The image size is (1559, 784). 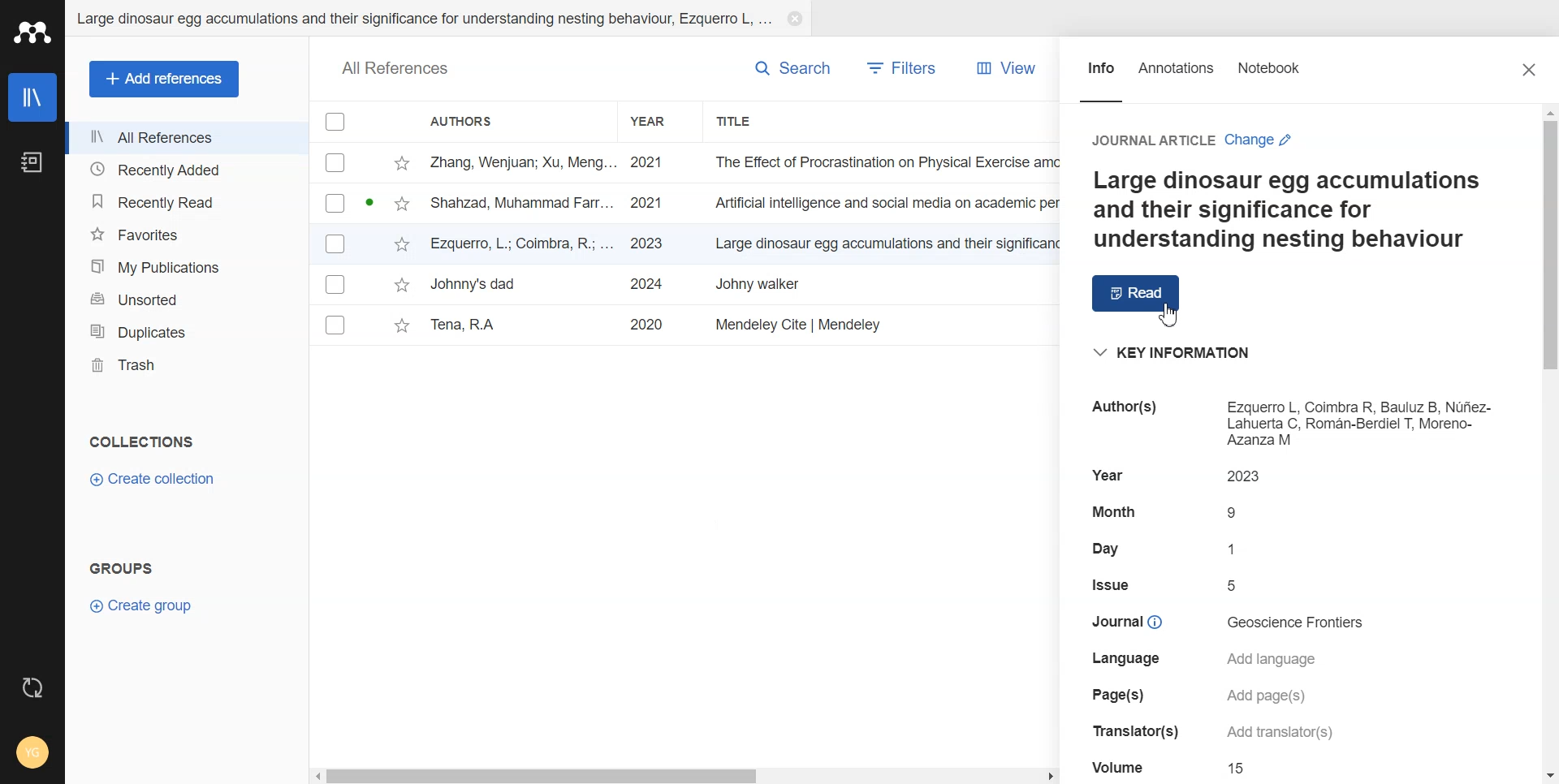 I want to click on Create collection, so click(x=152, y=478).